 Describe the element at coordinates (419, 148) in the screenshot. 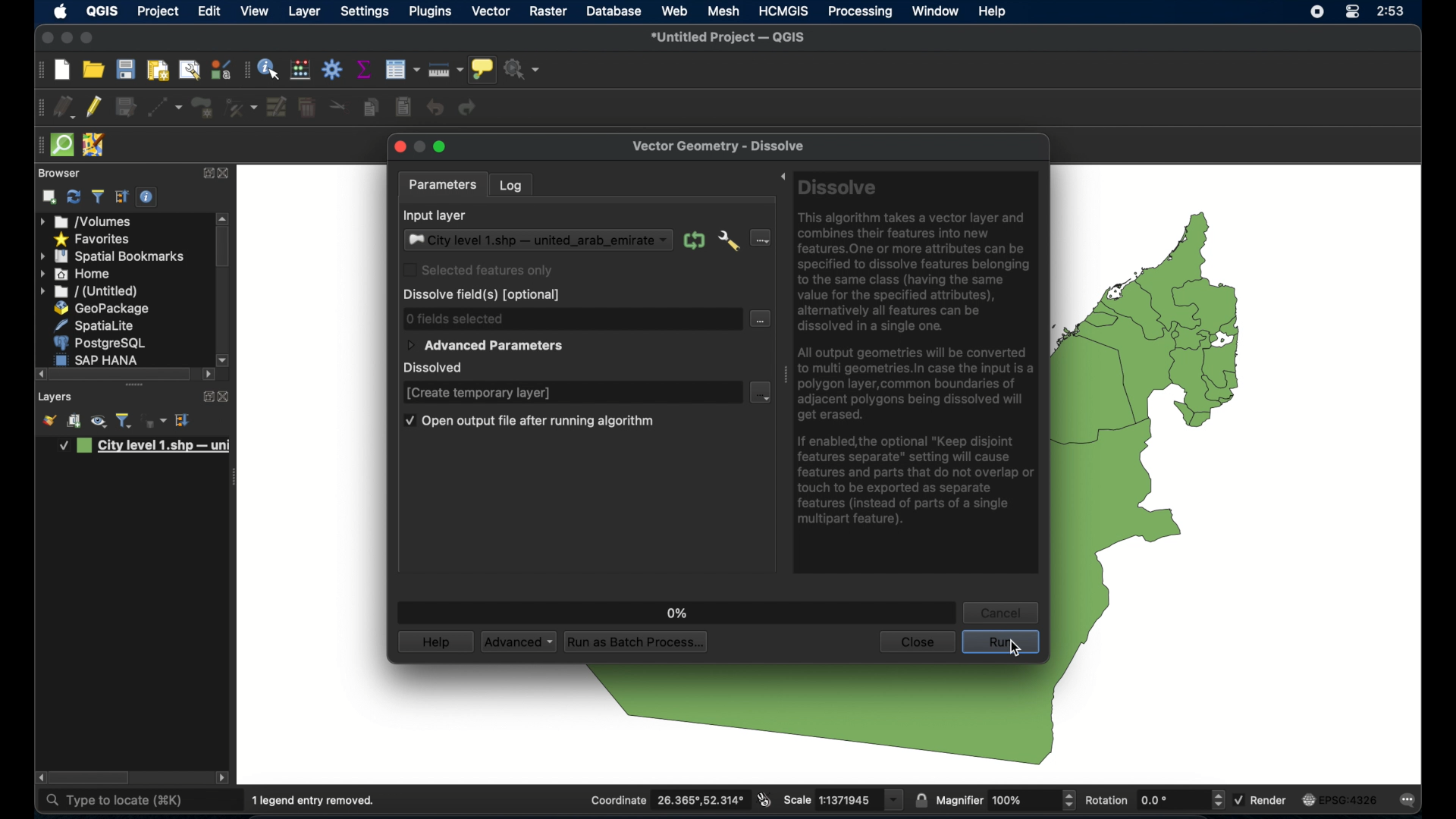

I see `inactive minimize button` at that location.